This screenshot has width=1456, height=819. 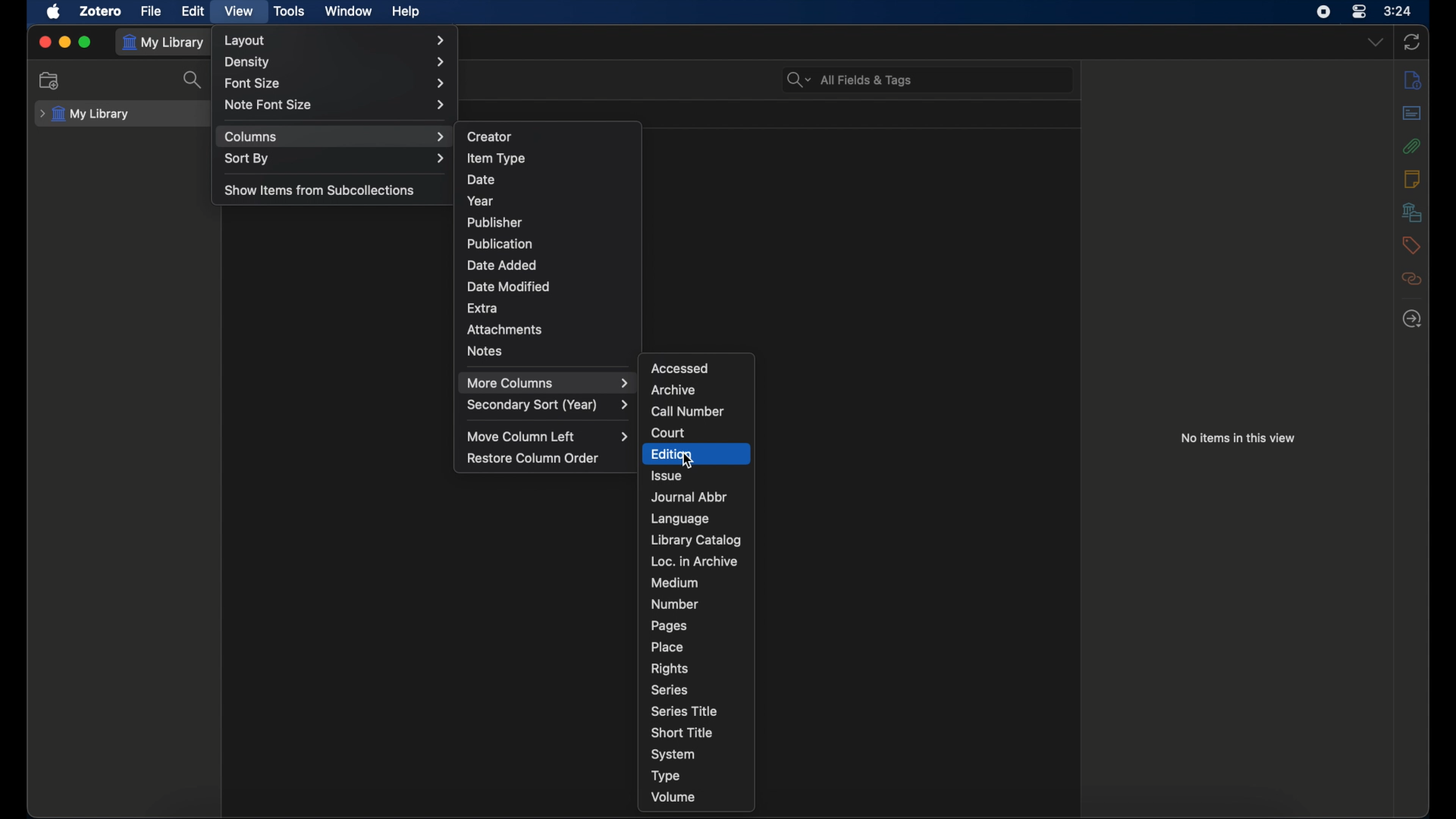 What do you see at coordinates (335, 137) in the screenshot?
I see `columns` at bounding box center [335, 137].